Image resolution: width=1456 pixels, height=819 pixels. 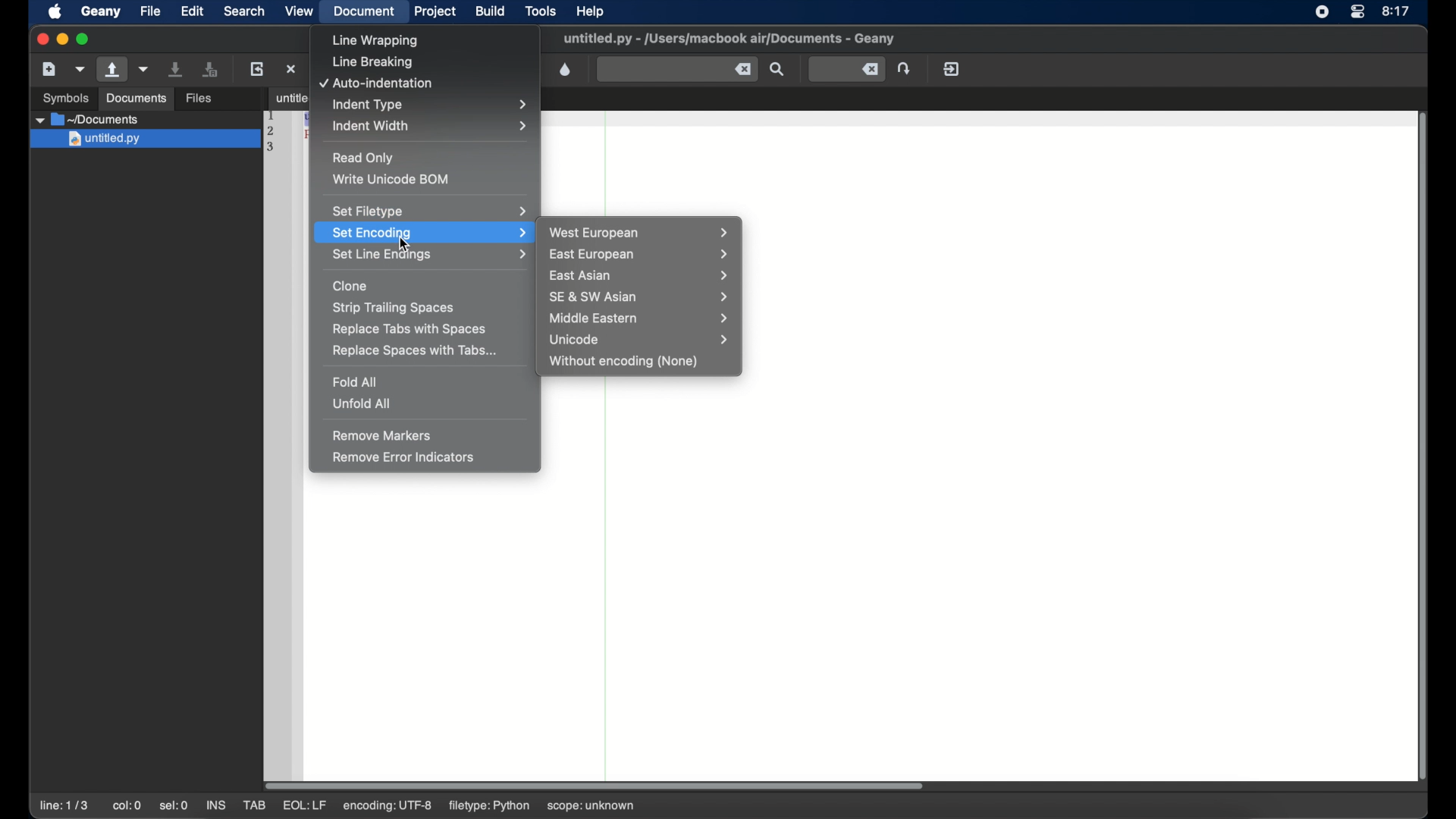 What do you see at coordinates (253, 805) in the screenshot?
I see `tab` at bounding box center [253, 805].